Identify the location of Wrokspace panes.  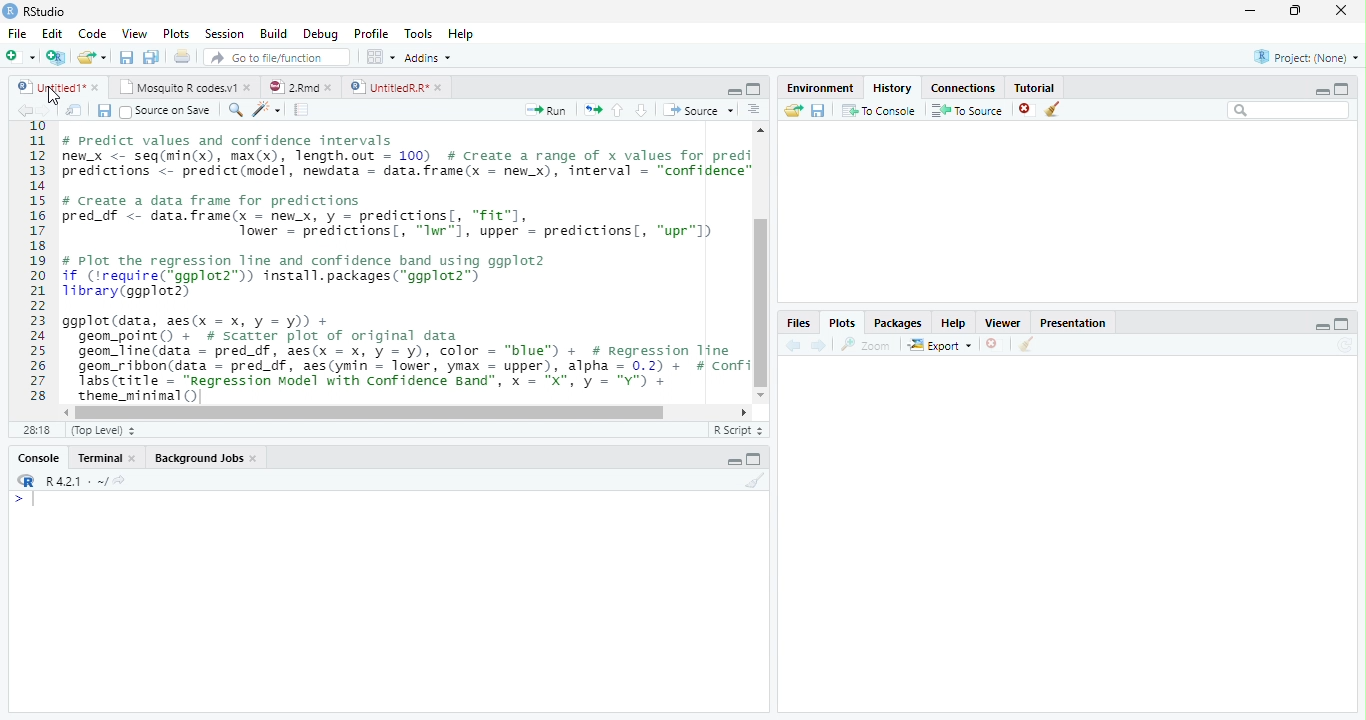
(379, 57).